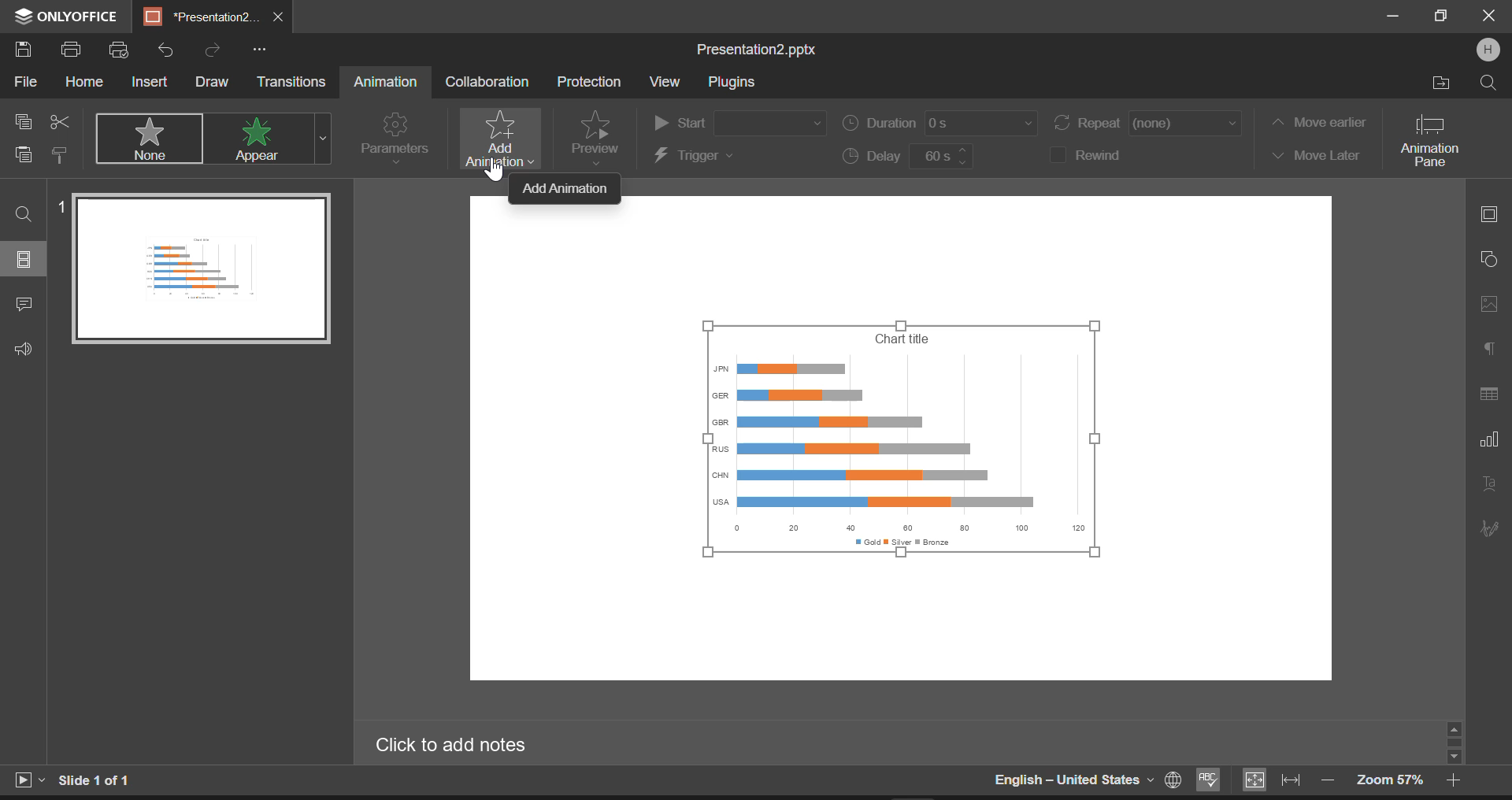 This screenshot has width=1512, height=800. What do you see at coordinates (665, 81) in the screenshot?
I see `View` at bounding box center [665, 81].